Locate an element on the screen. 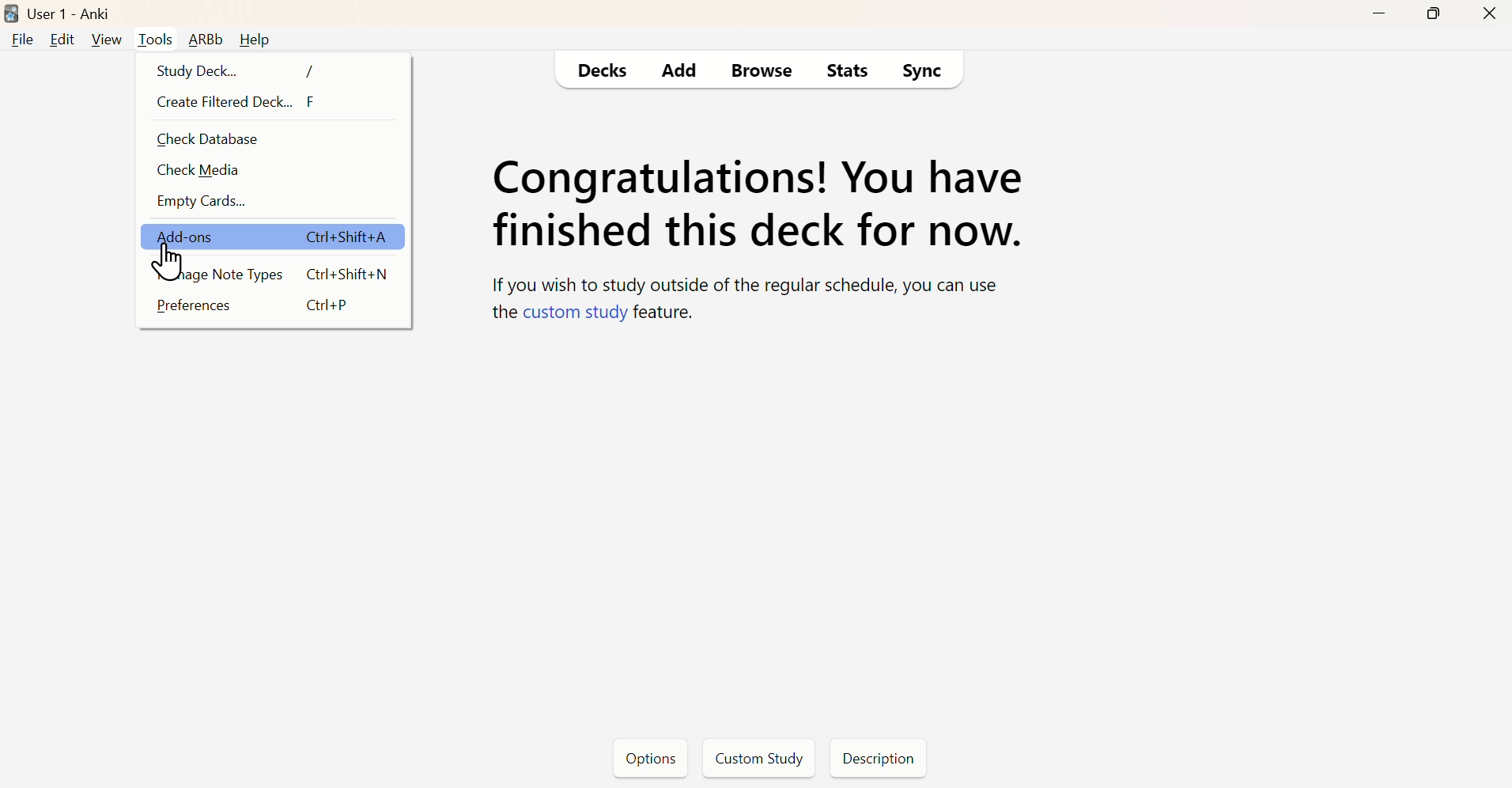 This screenshot has height=788, width=1512. Preferences is located at coordinates (264, 303).